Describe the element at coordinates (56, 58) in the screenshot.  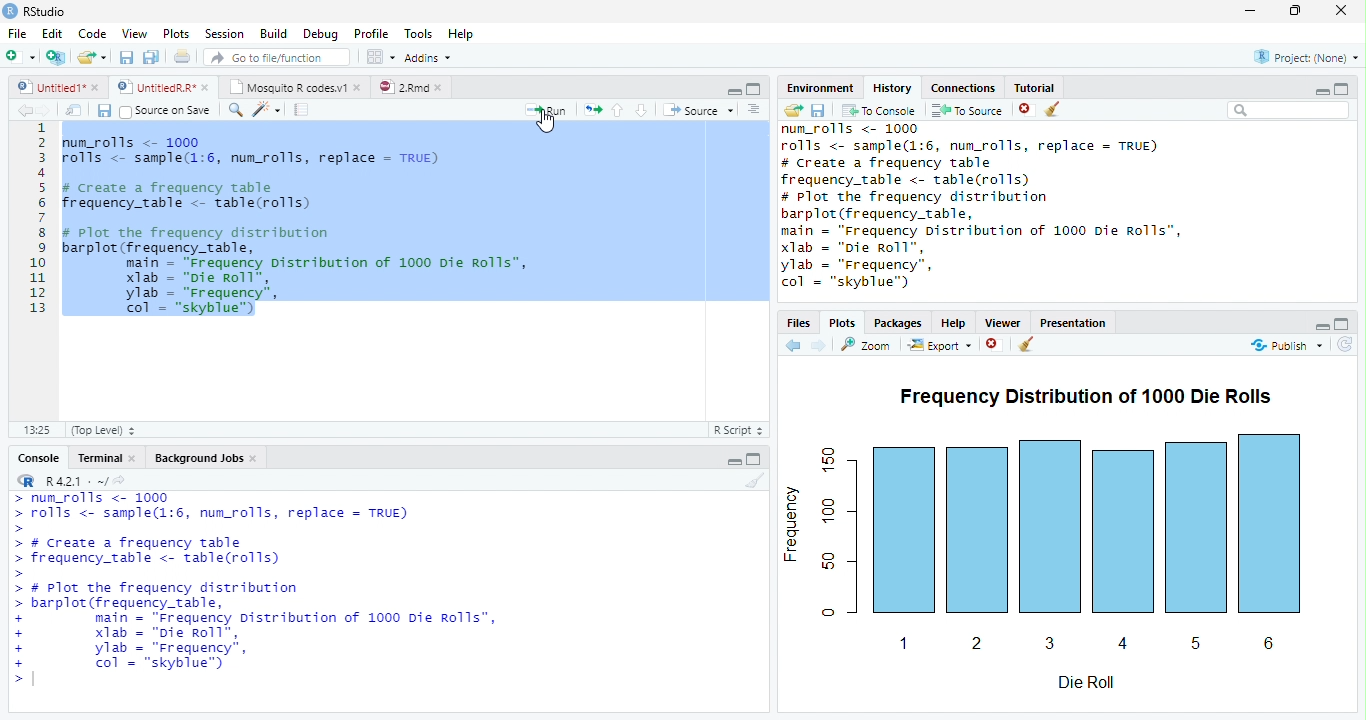
I see `Create Project` at that location.